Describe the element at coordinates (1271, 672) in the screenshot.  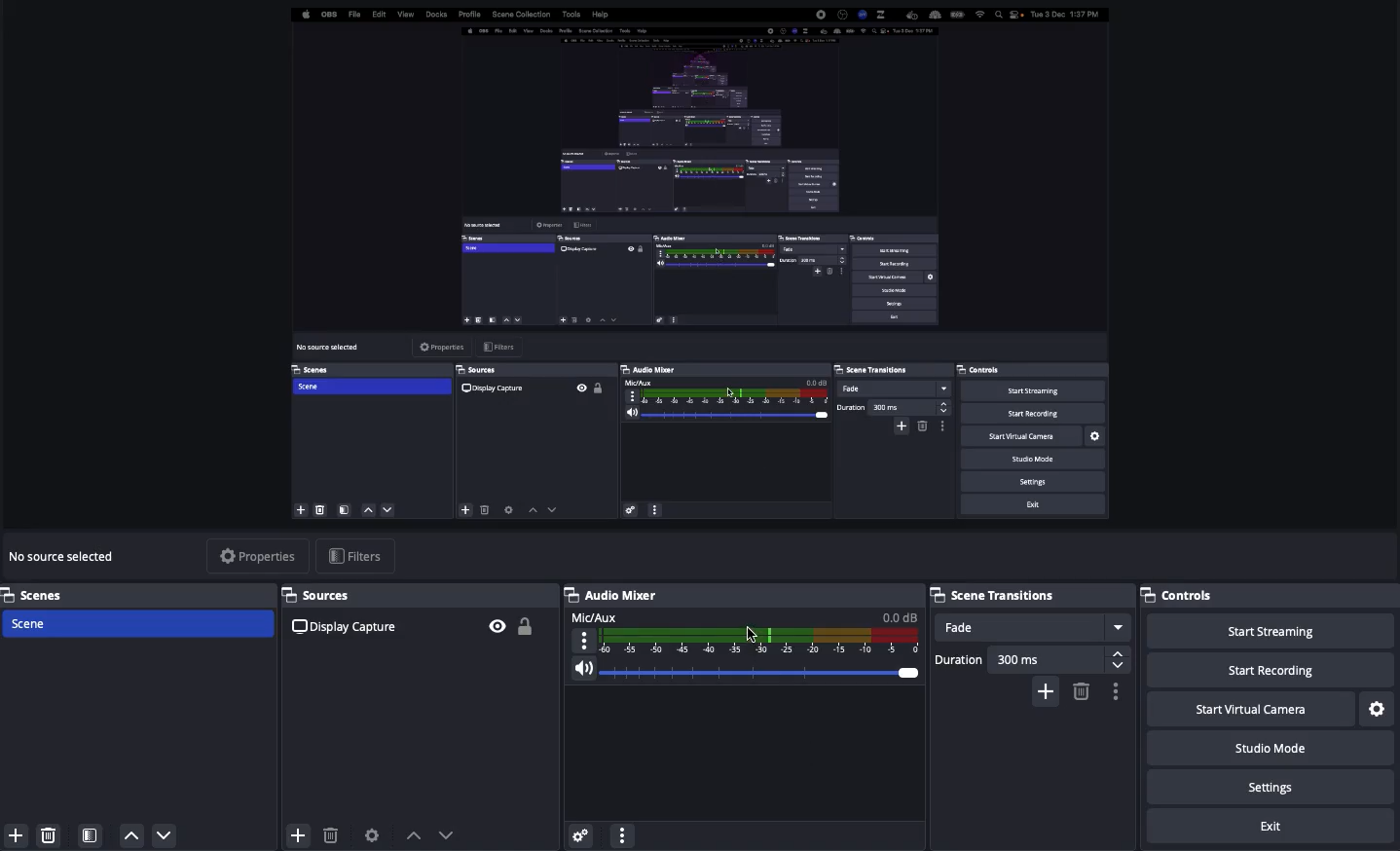
I see `Start recording` at that location.